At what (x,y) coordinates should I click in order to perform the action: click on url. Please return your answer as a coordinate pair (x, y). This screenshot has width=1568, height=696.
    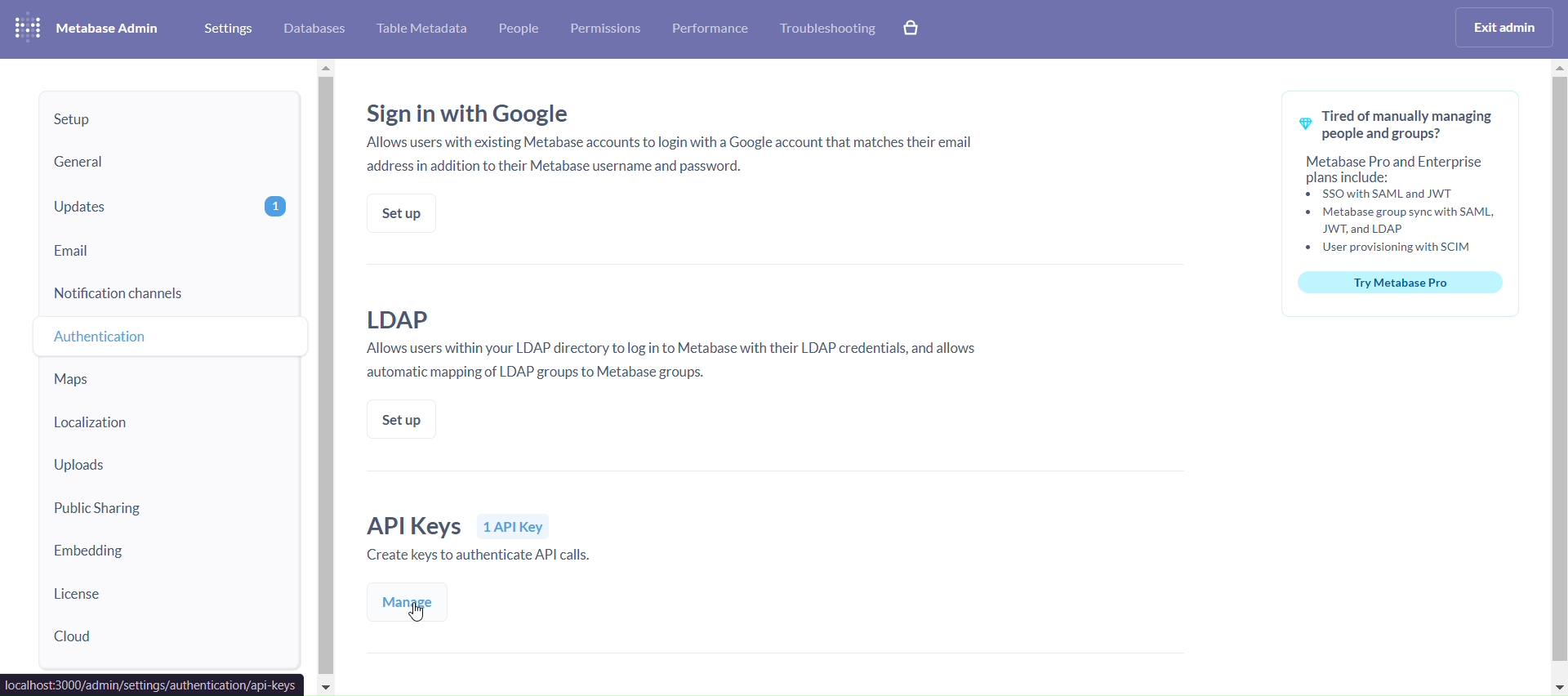
    Looking at the image, I should click on (153, 685).